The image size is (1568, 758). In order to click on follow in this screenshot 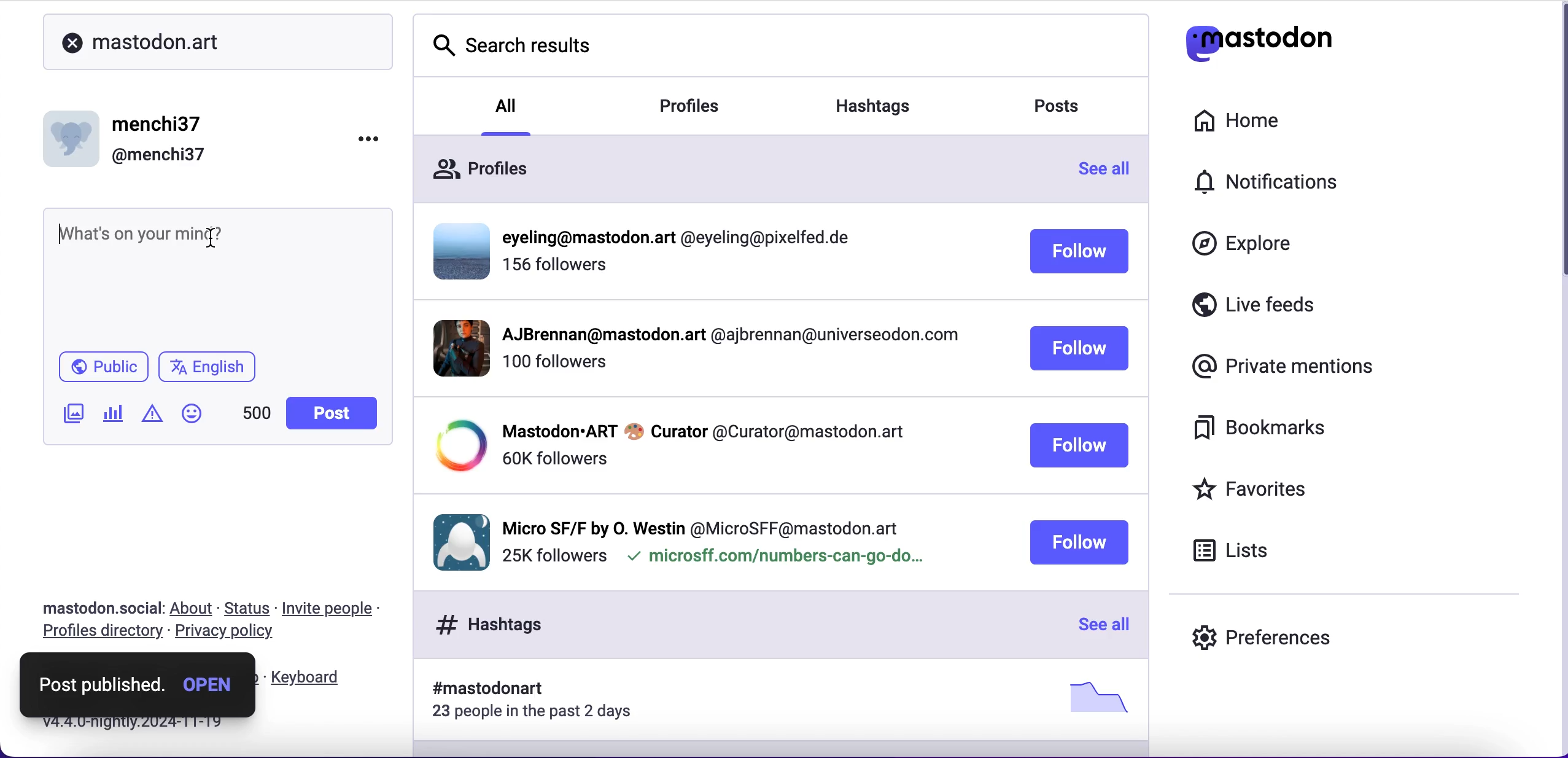, I will do `click(1080, 350)`.